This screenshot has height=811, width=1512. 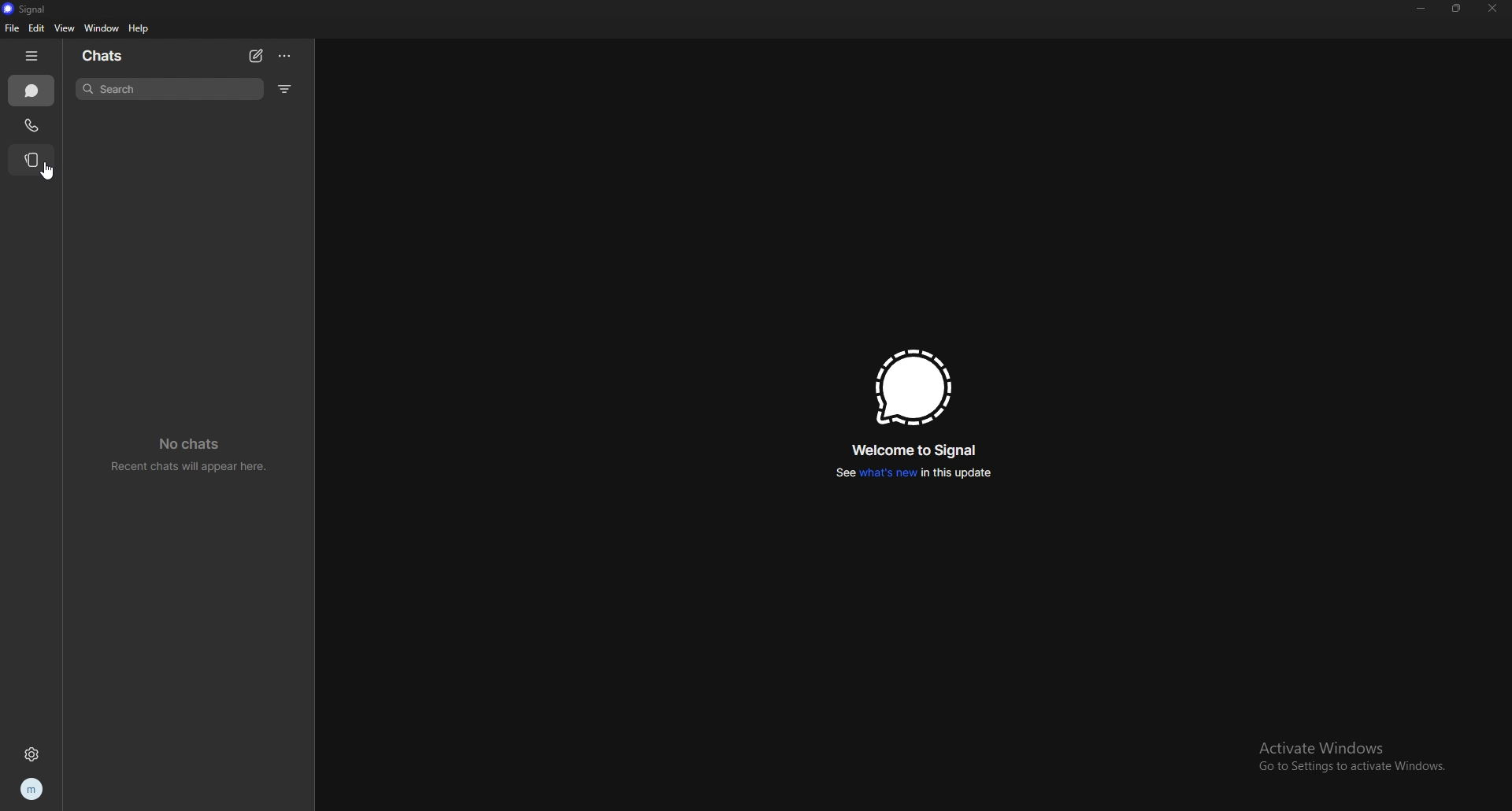 What do you see at coordinates (887, 472) in the screenshot?
I see `what's new` at bounding box center [887, 472].